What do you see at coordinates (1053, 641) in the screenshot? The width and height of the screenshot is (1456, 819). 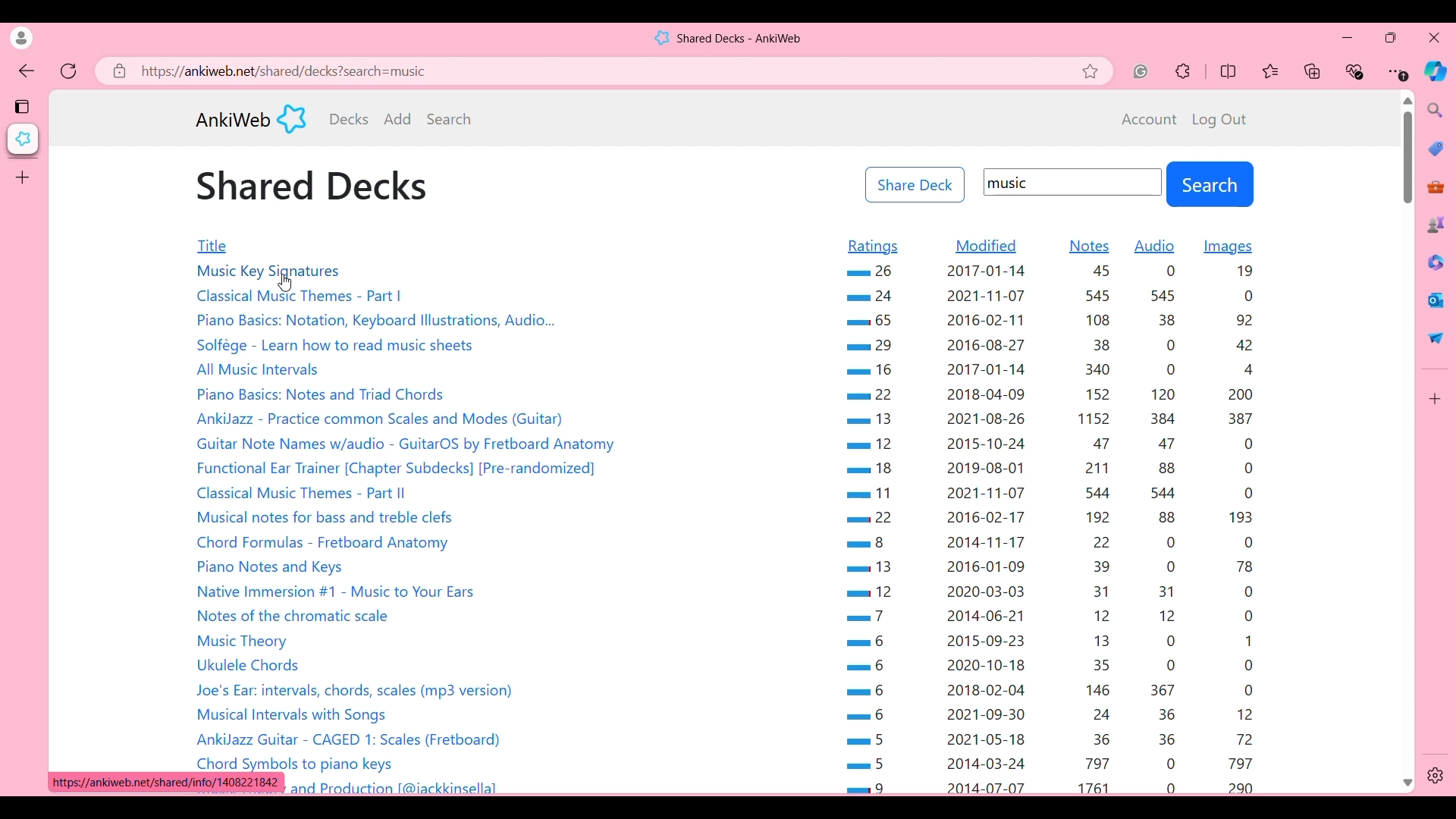 I see `6 2015-09-23 13 0 1` at bounding box center [1053, 641].